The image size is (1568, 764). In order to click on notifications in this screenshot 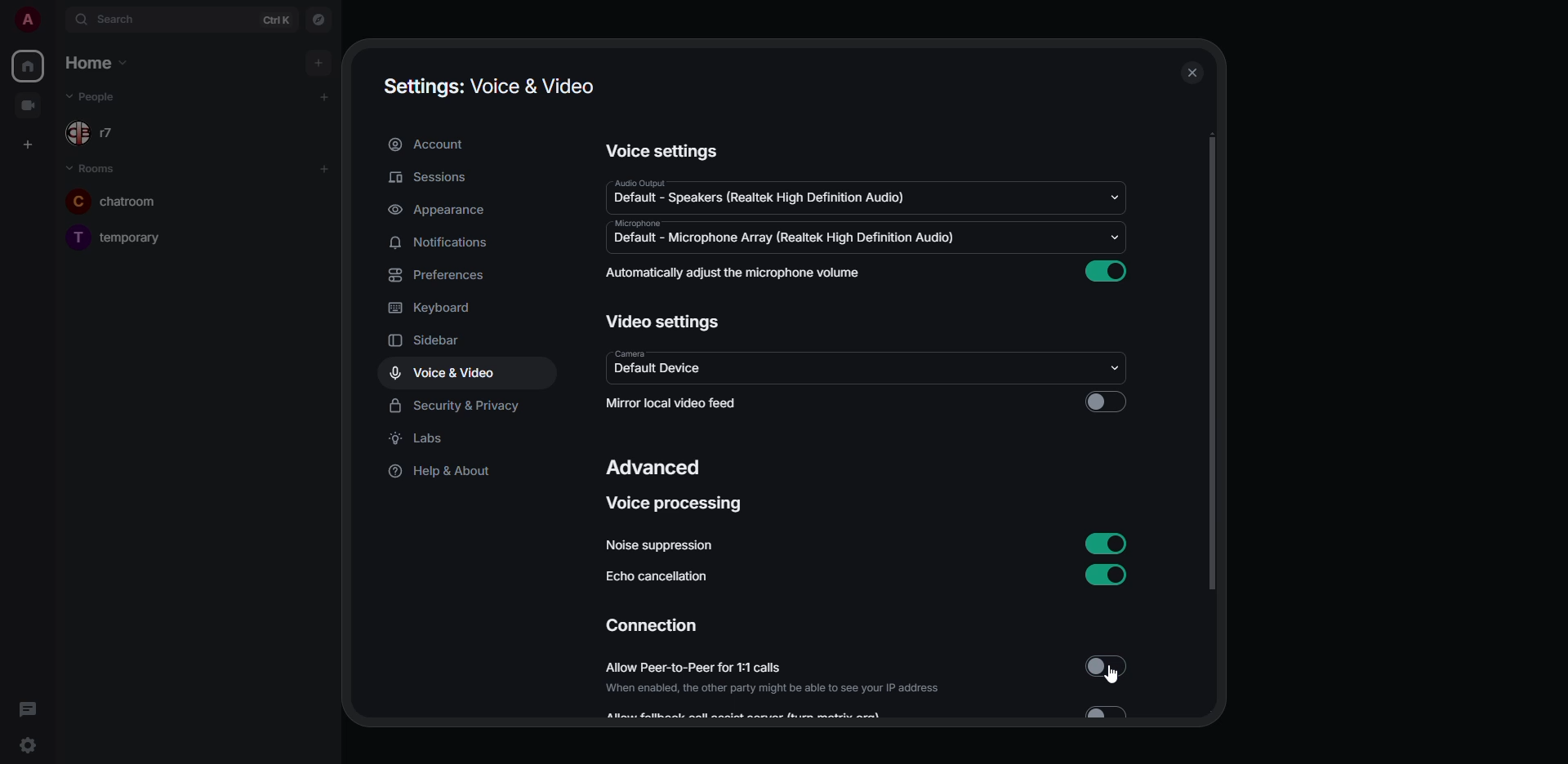, I will do `click(443, 242)`.